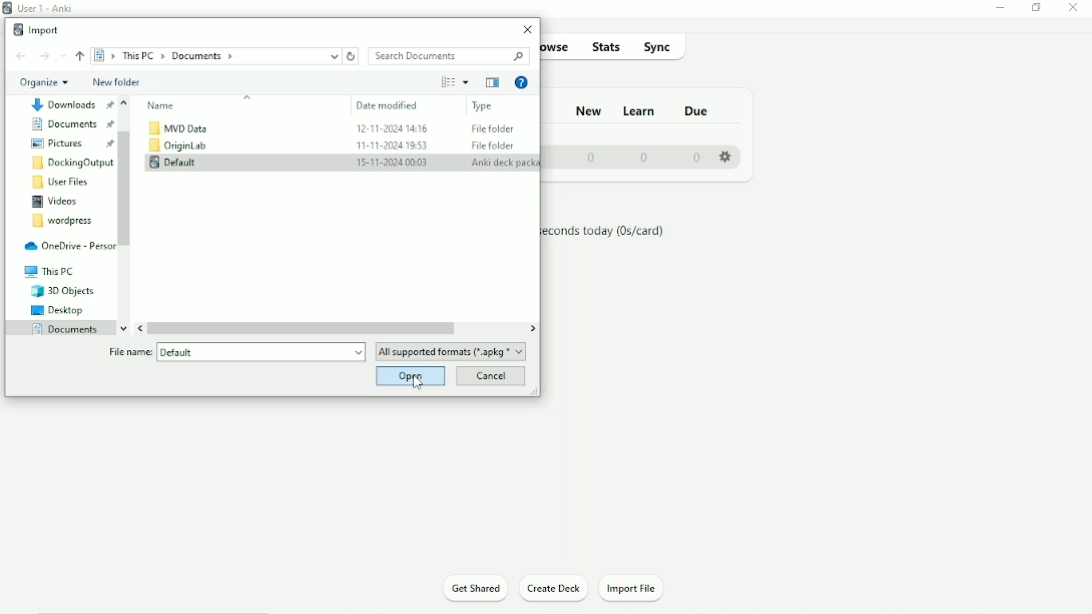 This screenshot has width=1092, height=614. I want to click on Open, so click(410, 377).